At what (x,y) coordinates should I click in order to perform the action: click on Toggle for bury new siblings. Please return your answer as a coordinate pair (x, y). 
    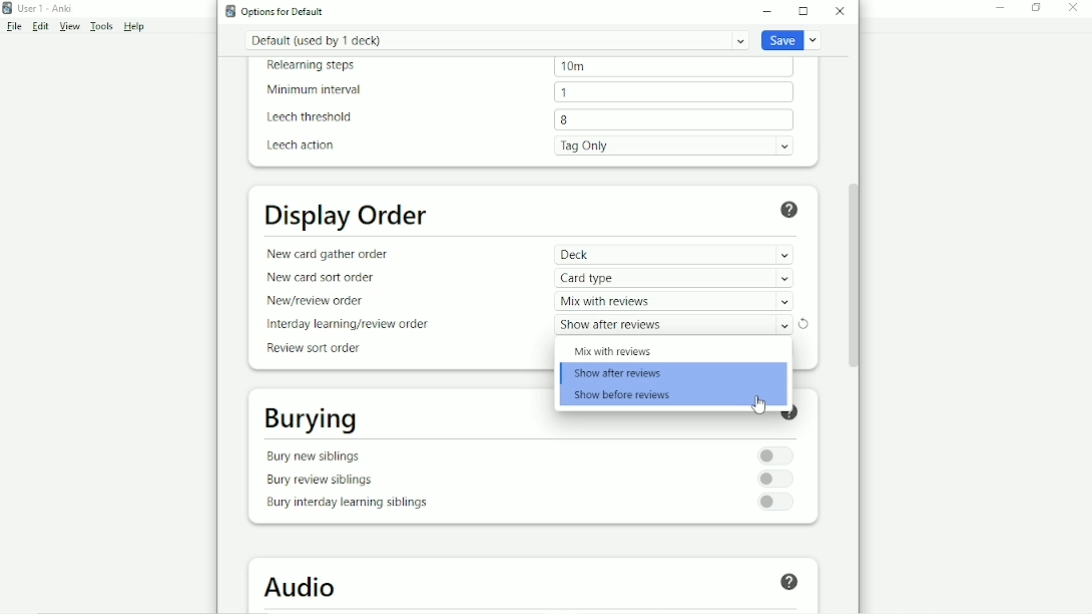
    Looking at the image, I should click on (776, 456).